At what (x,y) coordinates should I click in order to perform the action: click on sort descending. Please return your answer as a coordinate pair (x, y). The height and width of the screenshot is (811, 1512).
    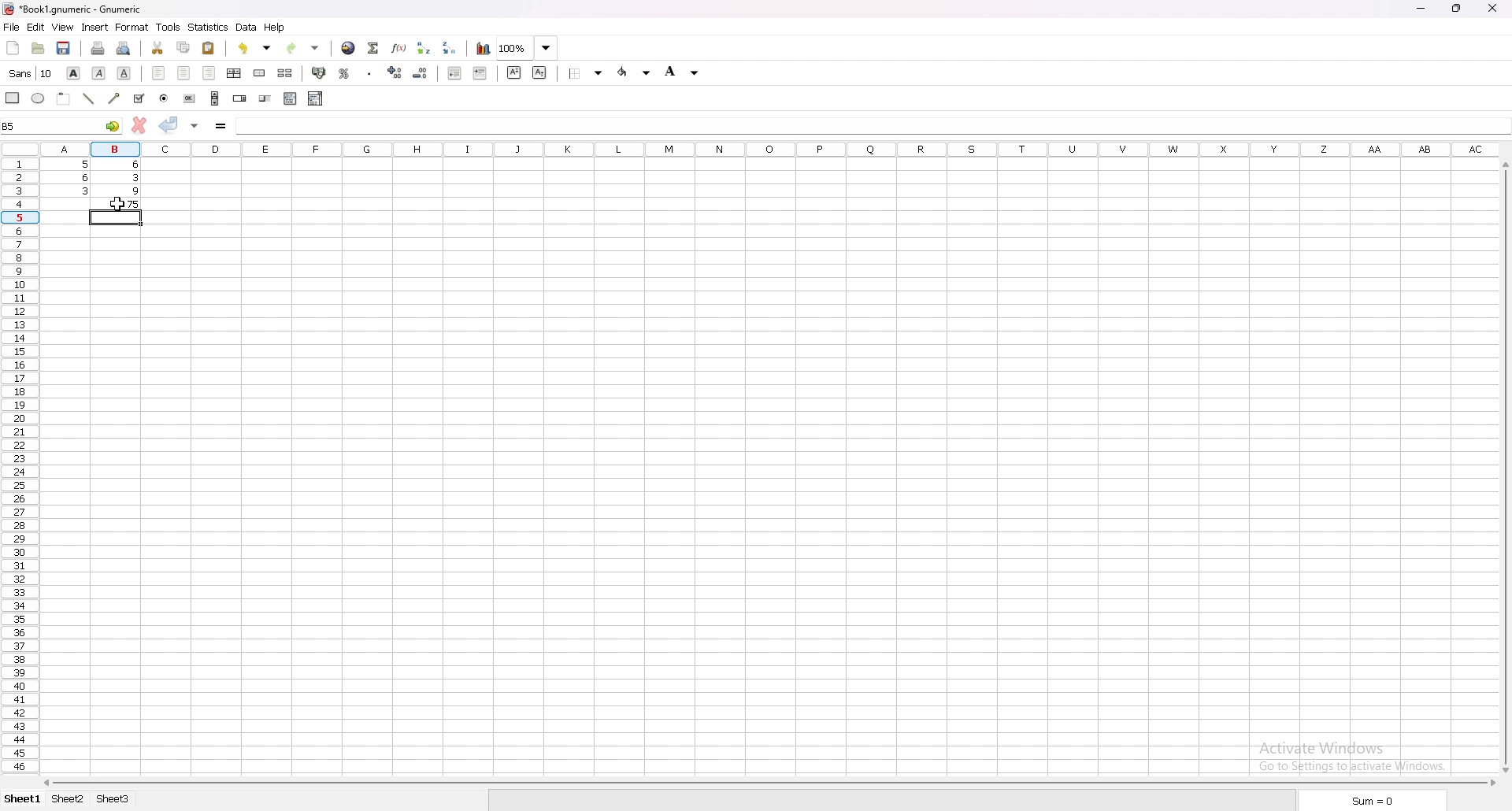
    Looking at the image, I should click on (450, 47).